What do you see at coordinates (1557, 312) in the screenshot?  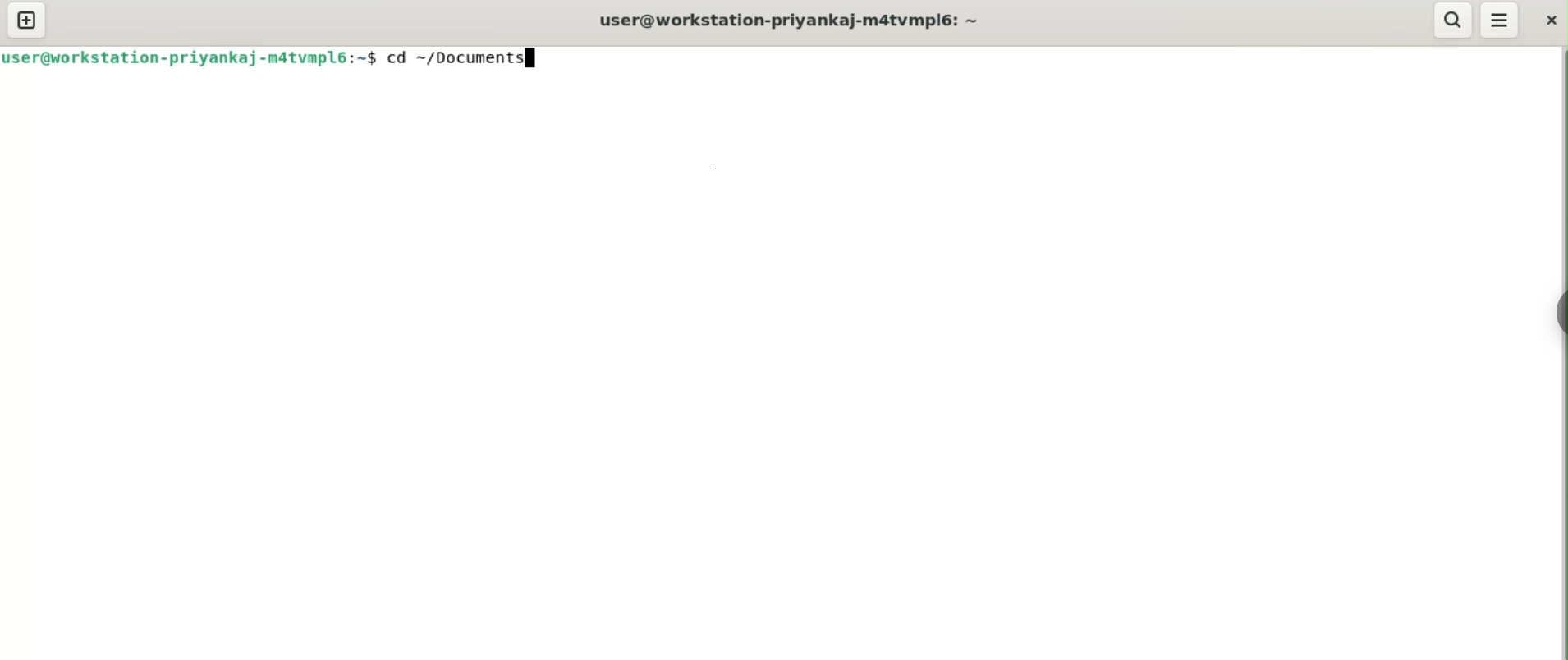 I see `sidebar` at bounding box center [1557, 312].